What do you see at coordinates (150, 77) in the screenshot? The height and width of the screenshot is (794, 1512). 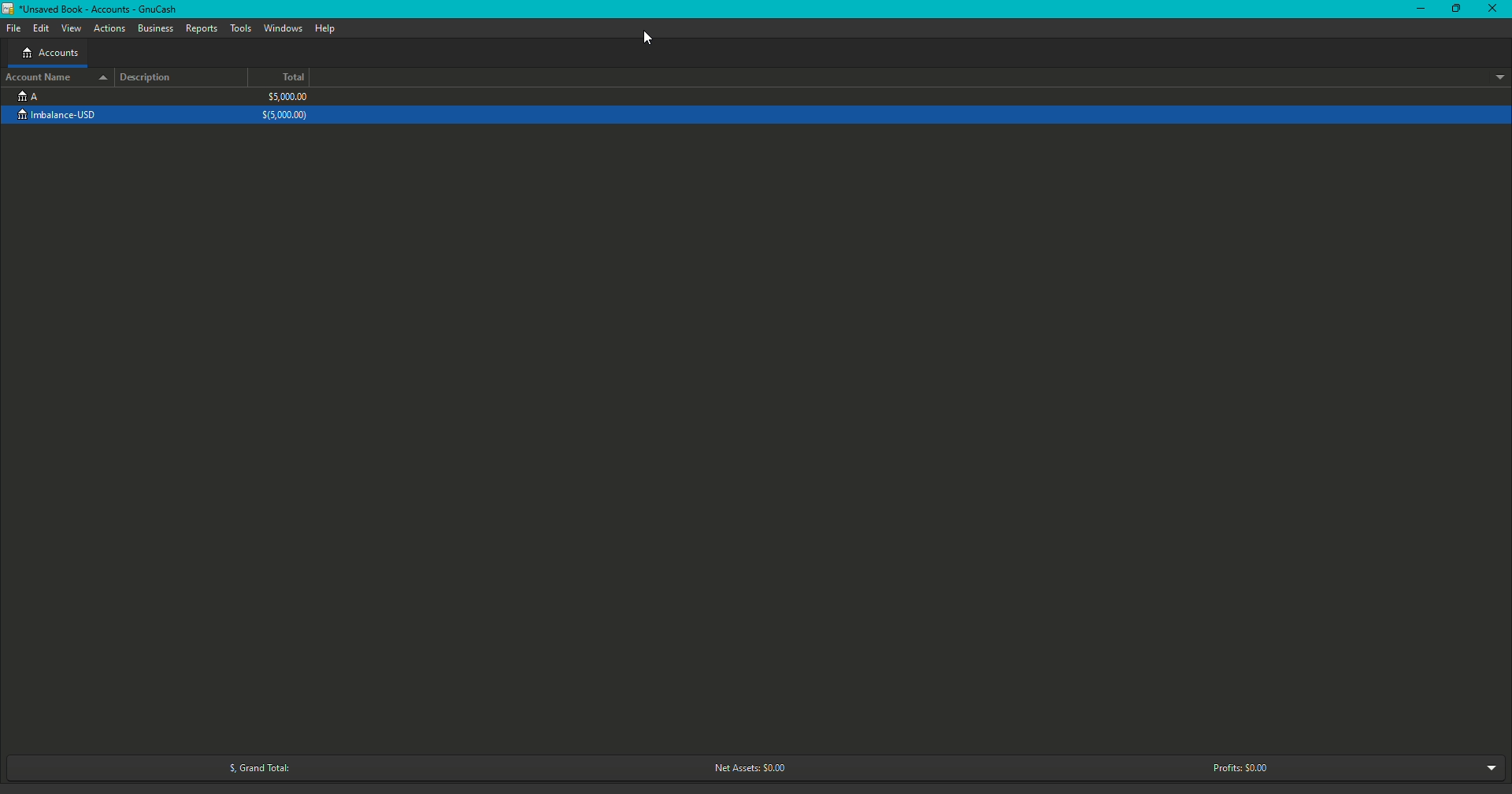 I see `Description` at bounding box center [150, 77].